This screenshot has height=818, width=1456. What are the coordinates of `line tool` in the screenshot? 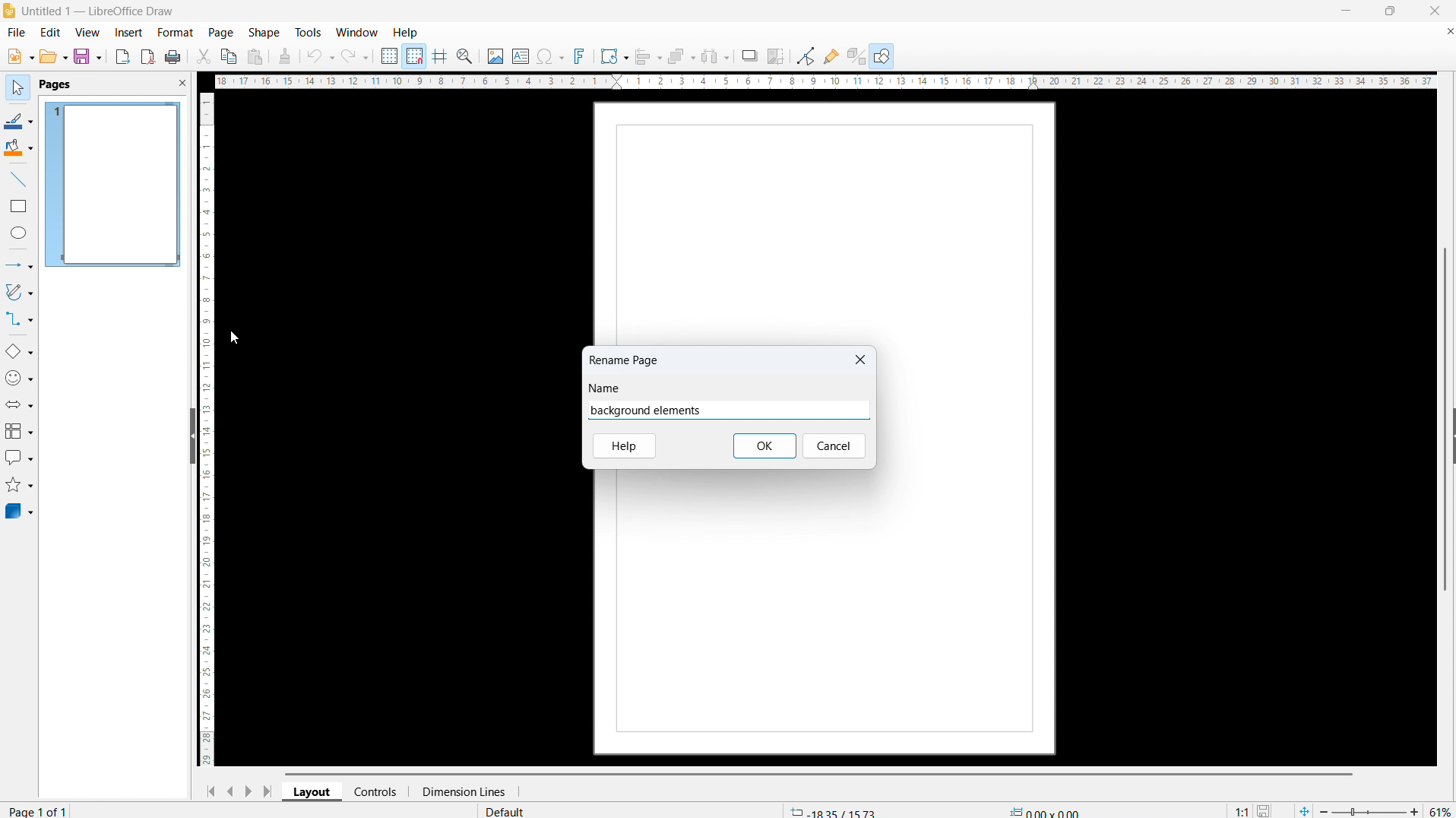 It's located at (18, 179).